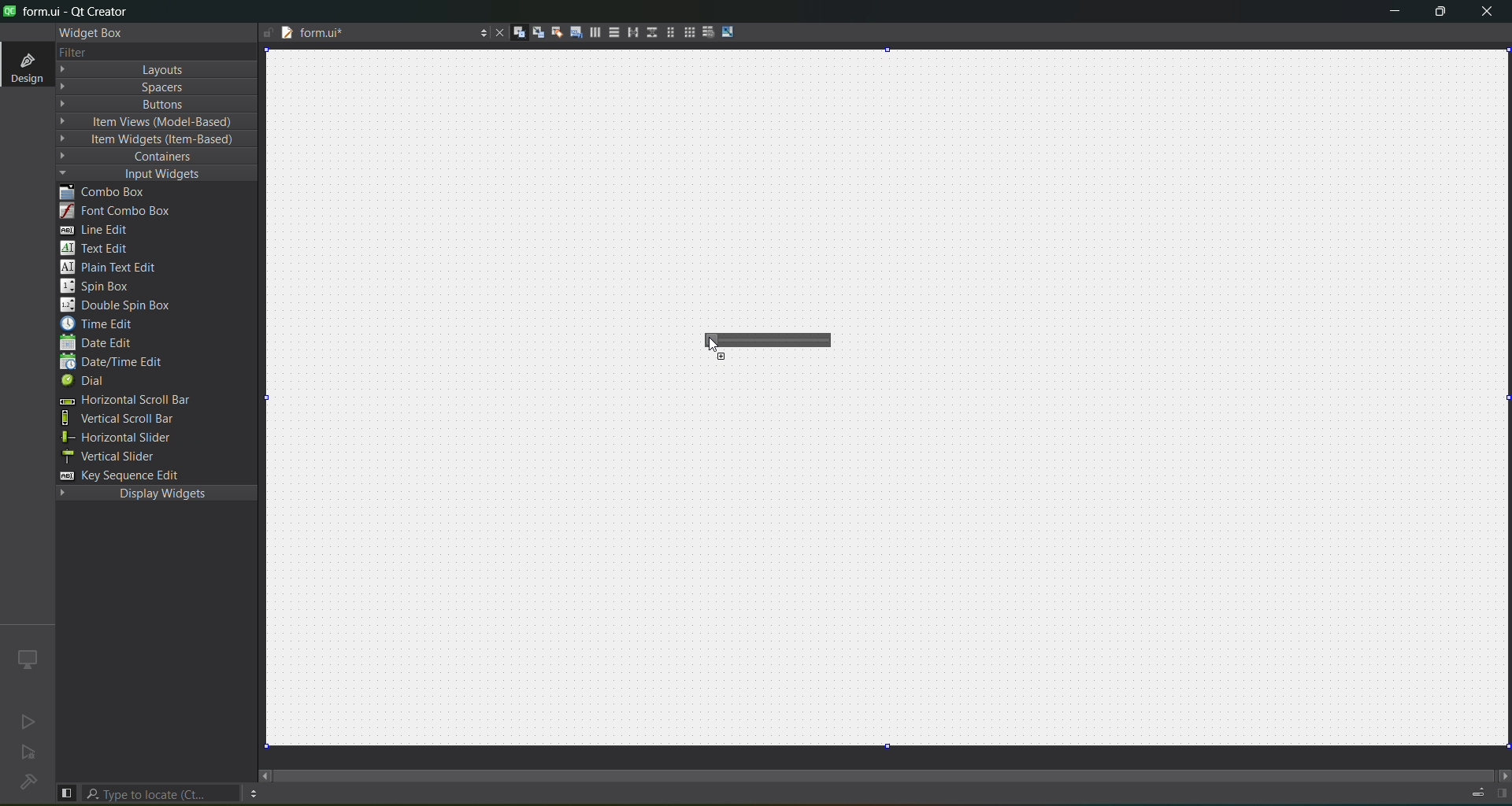 This screenshot has height=806, width=1512. I want to click on No project loaded, so click(27, 788).